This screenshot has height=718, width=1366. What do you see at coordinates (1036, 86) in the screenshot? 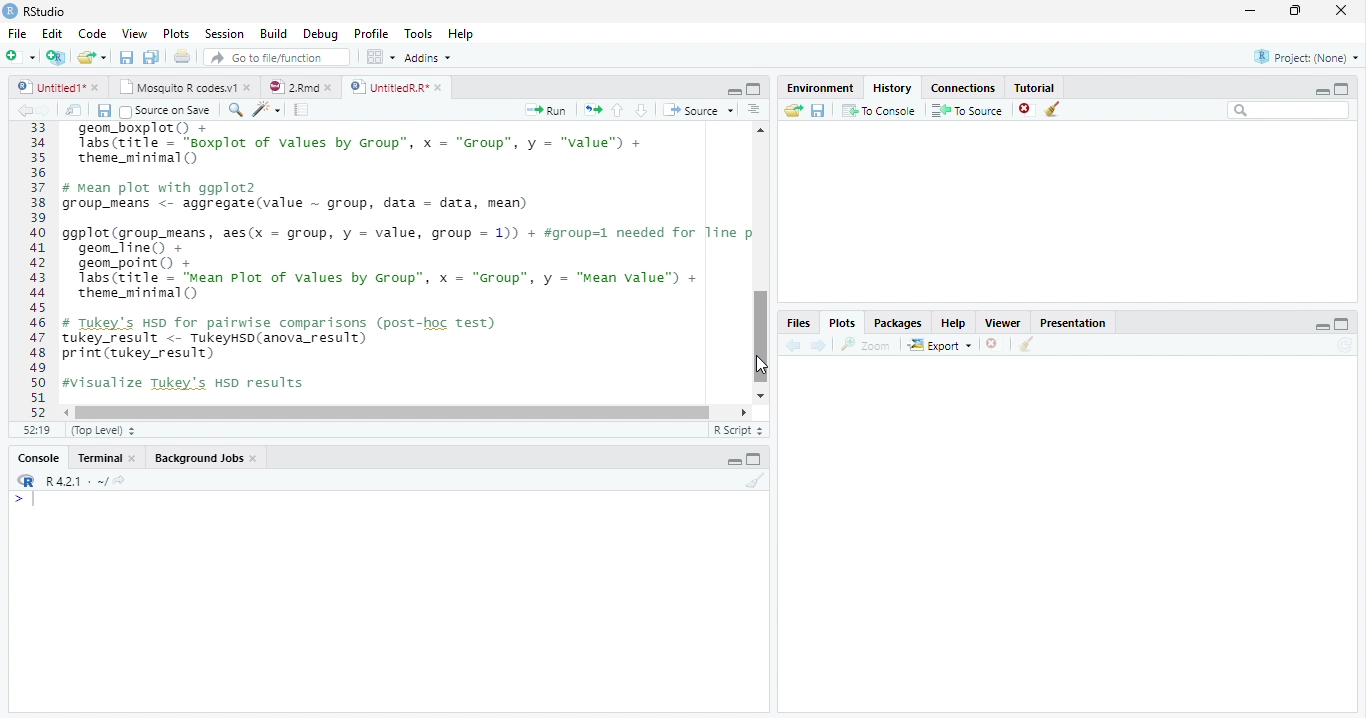
I see `Tutorial` at bounding box center [1036, 86].